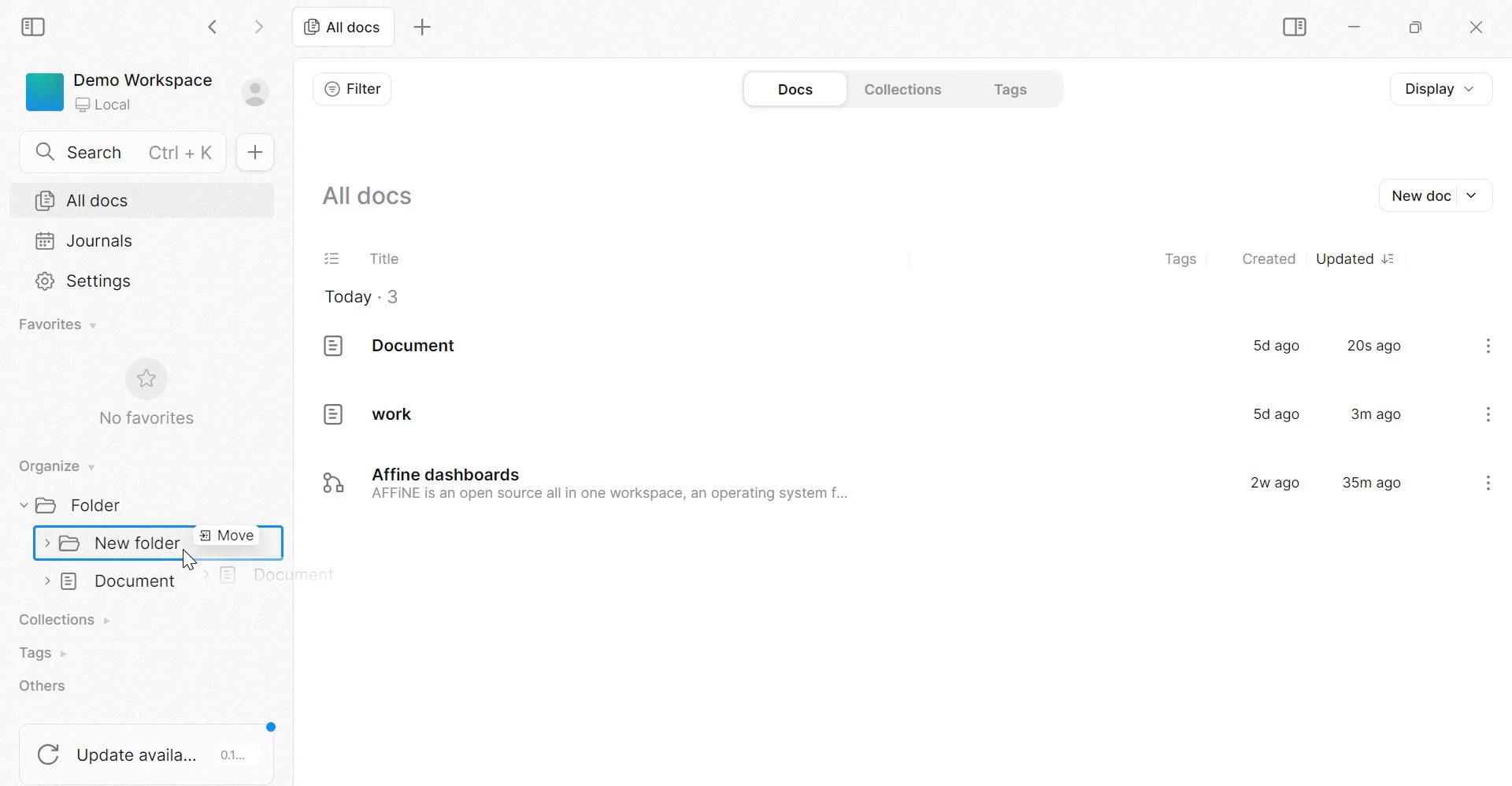 This screenshot has height=786, width=1512. I want to click on Sidebar Toggle, so click(37, 26).